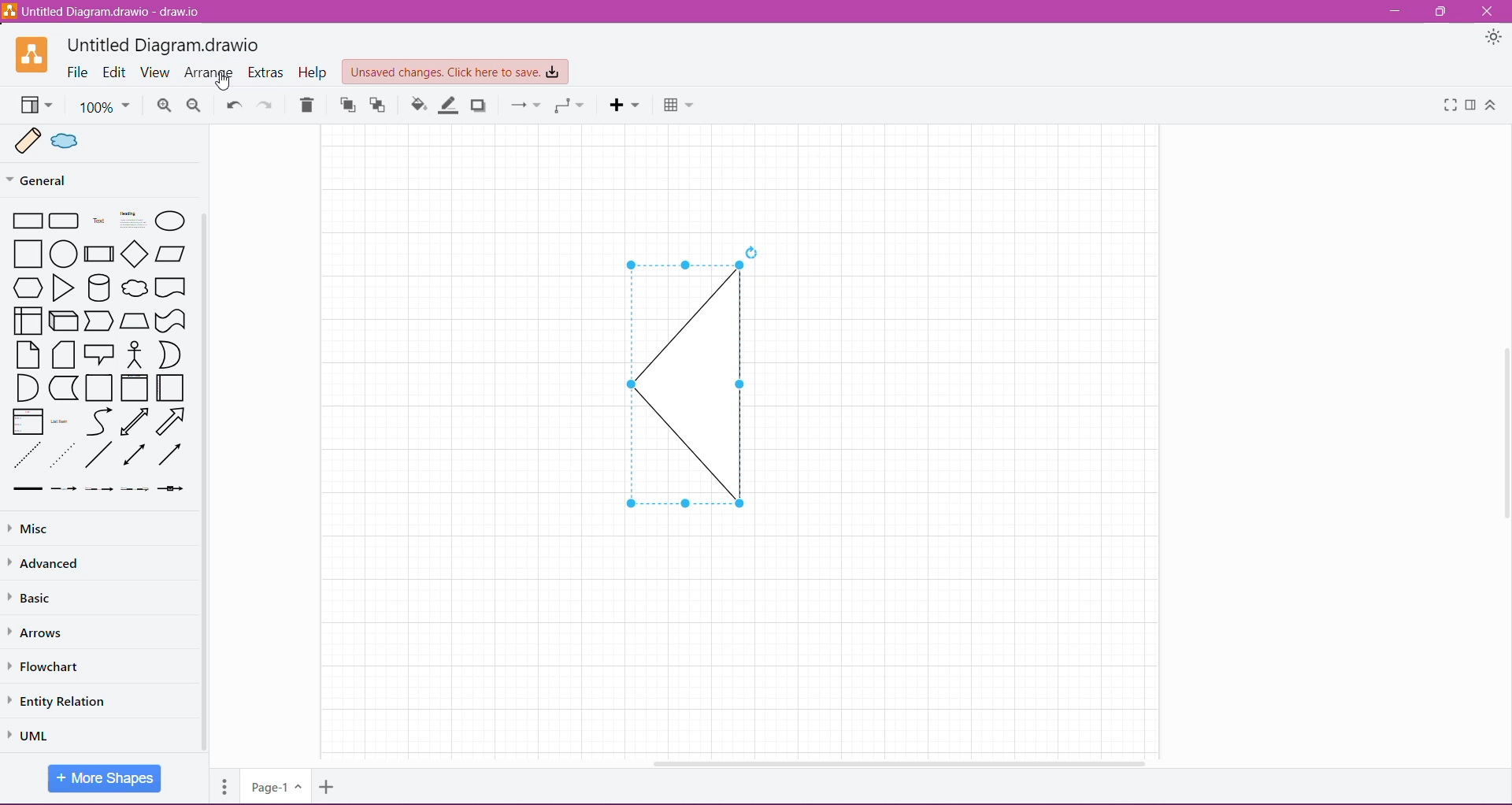 The image size is (1512, 805). What do you see at coordinates (447, 105) in the screenshot?
I see `Line Color` at bounding box center [447, 105].